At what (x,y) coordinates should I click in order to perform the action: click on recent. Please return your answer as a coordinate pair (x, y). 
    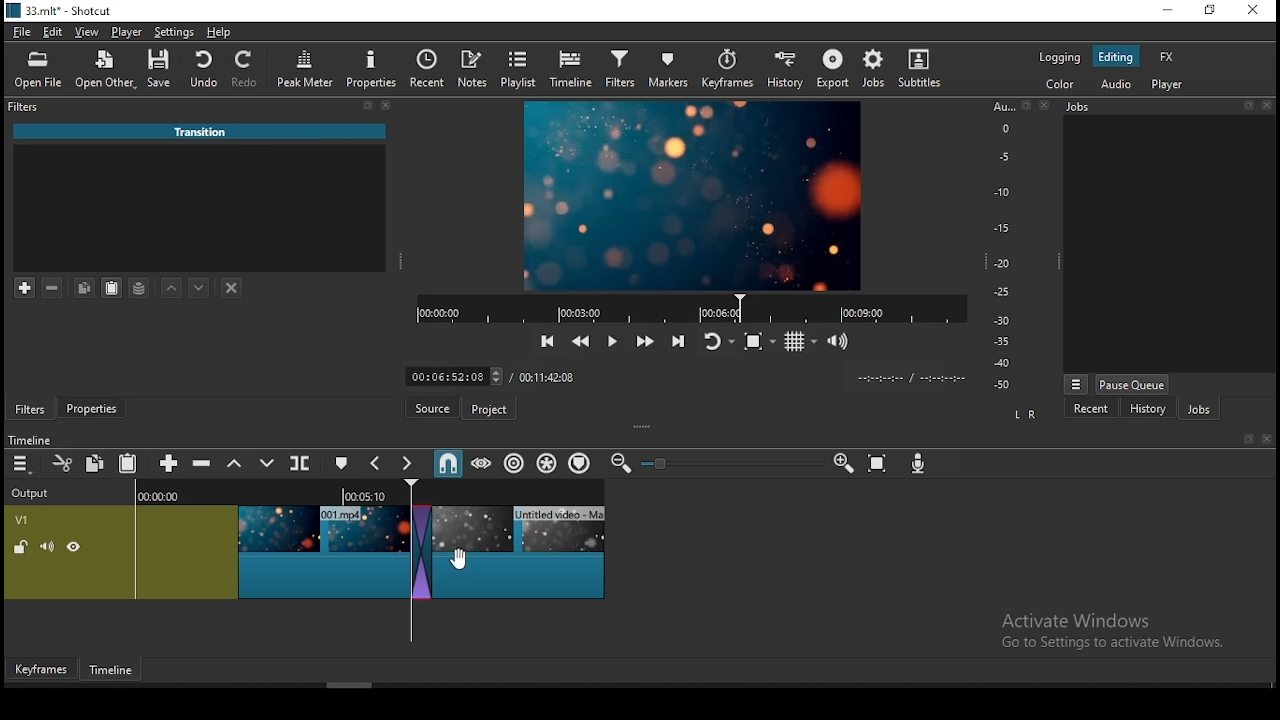
    Looking at the image, I should click on (1088, 409).